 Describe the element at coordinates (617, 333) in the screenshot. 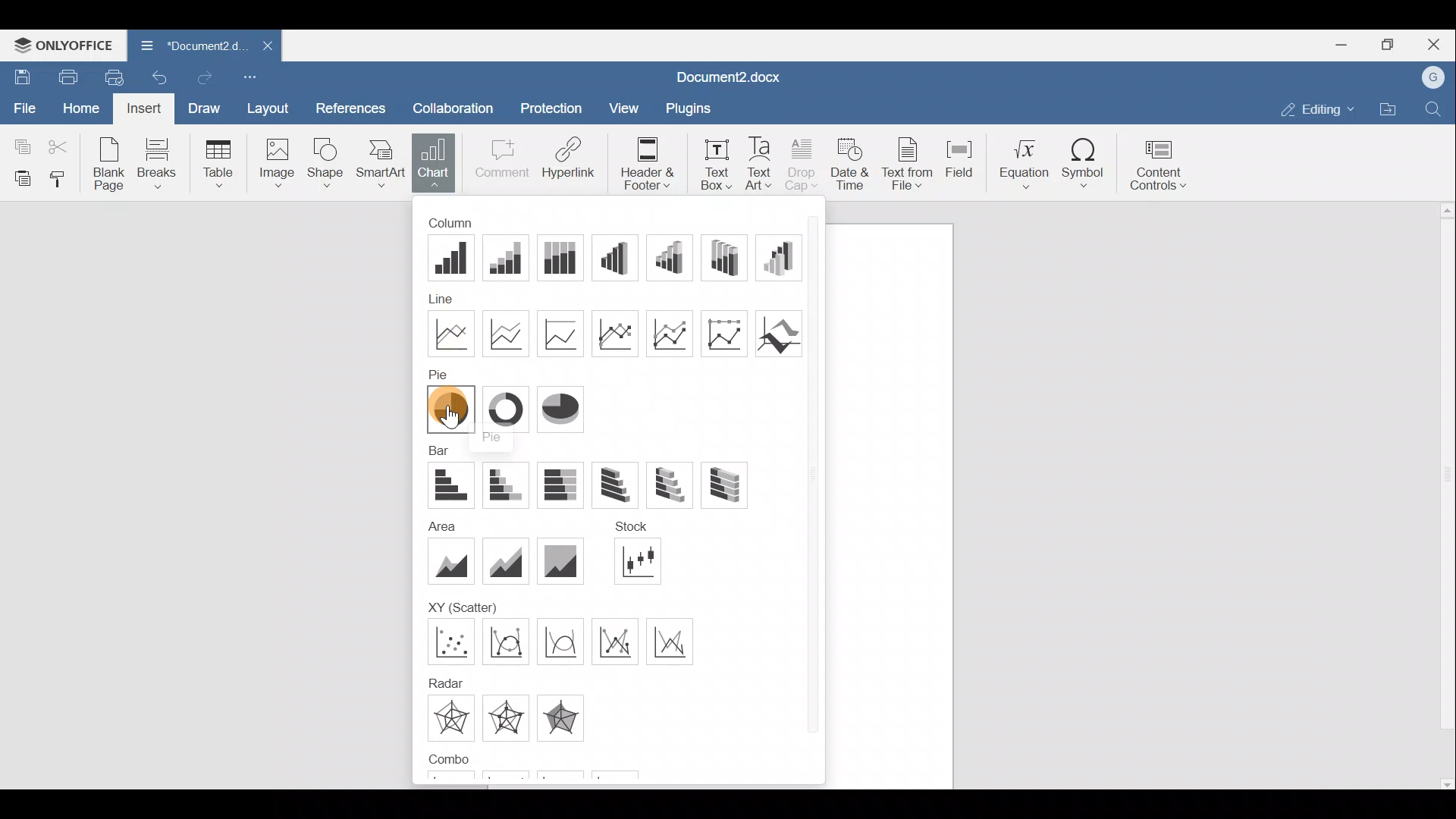

I see `Line with markers` at that location.